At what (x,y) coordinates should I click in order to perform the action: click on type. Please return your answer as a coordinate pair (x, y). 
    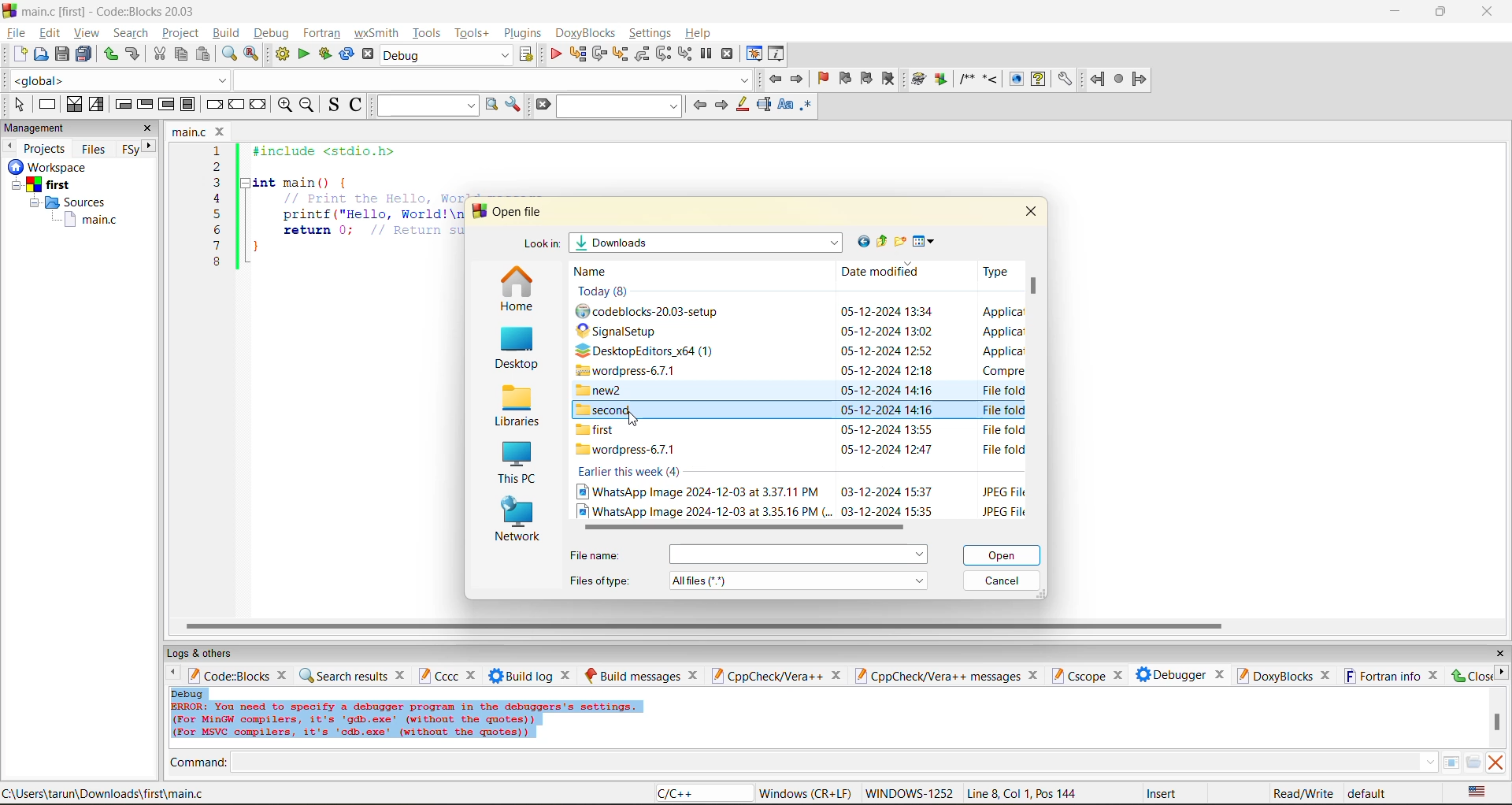
    Looking at the image, I should click on (1001, 351).